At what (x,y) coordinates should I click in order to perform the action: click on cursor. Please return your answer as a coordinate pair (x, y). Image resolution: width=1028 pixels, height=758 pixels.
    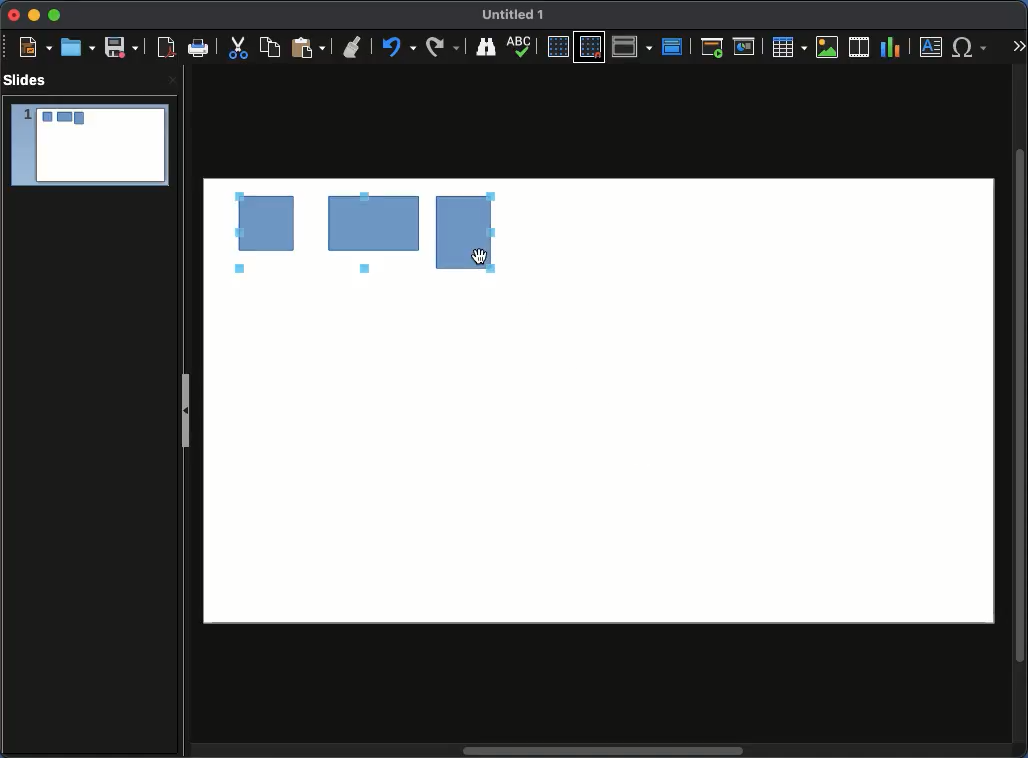
    Looking at the image, I should click on (479, 257).